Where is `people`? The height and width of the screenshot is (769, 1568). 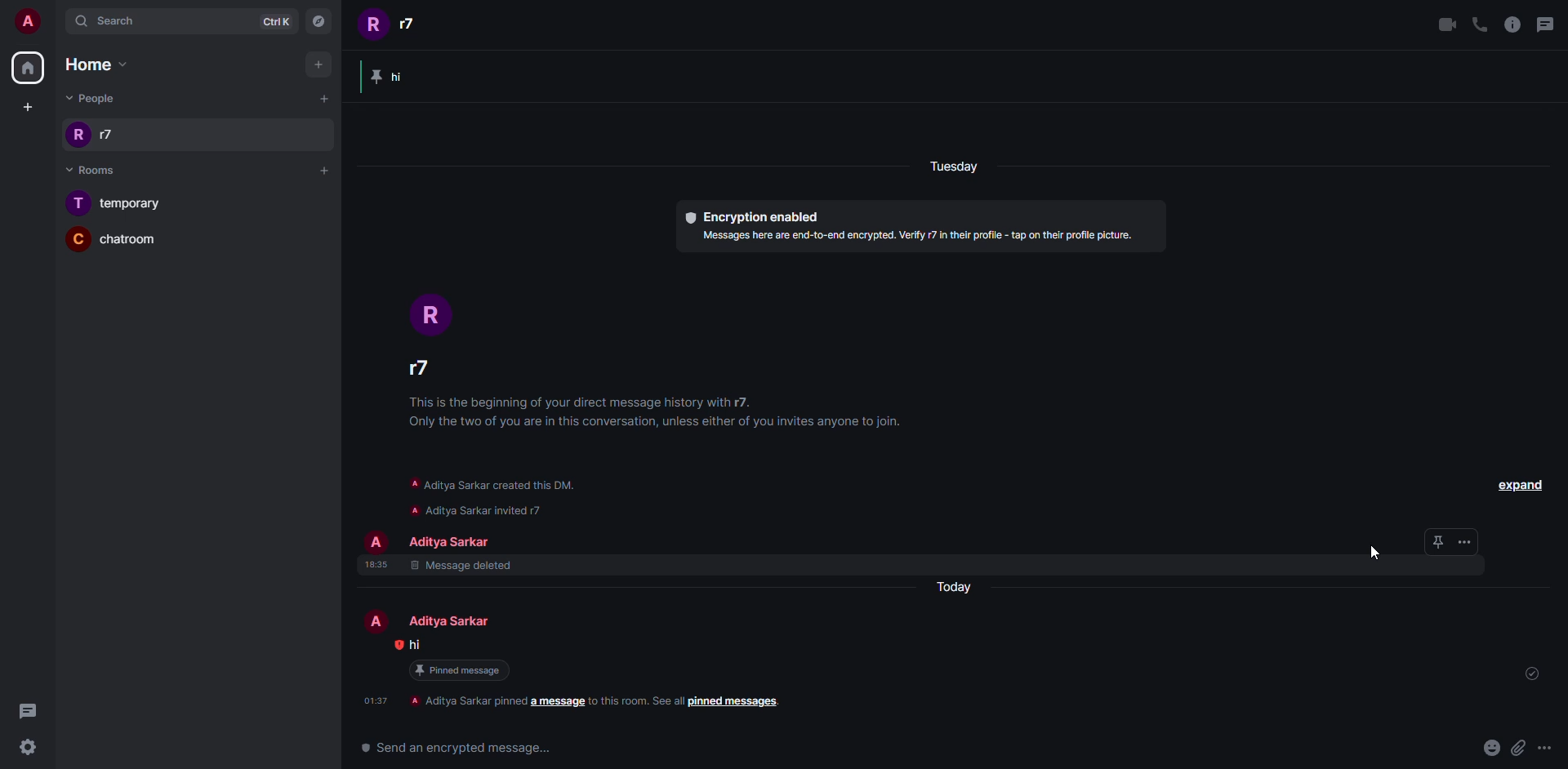 people is located at coordinates (398, 23).